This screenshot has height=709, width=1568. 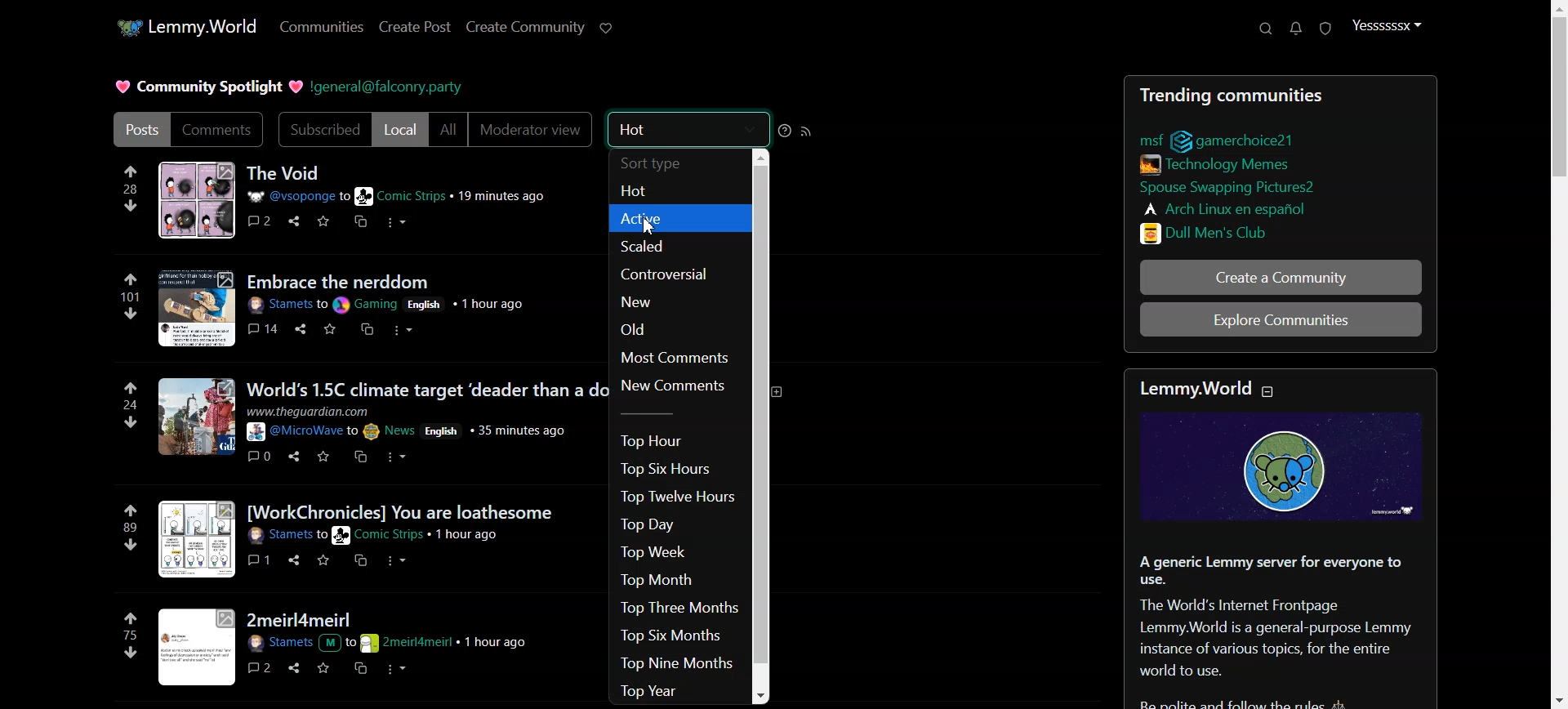 I want to click on comments, so click(x=261, y=328).